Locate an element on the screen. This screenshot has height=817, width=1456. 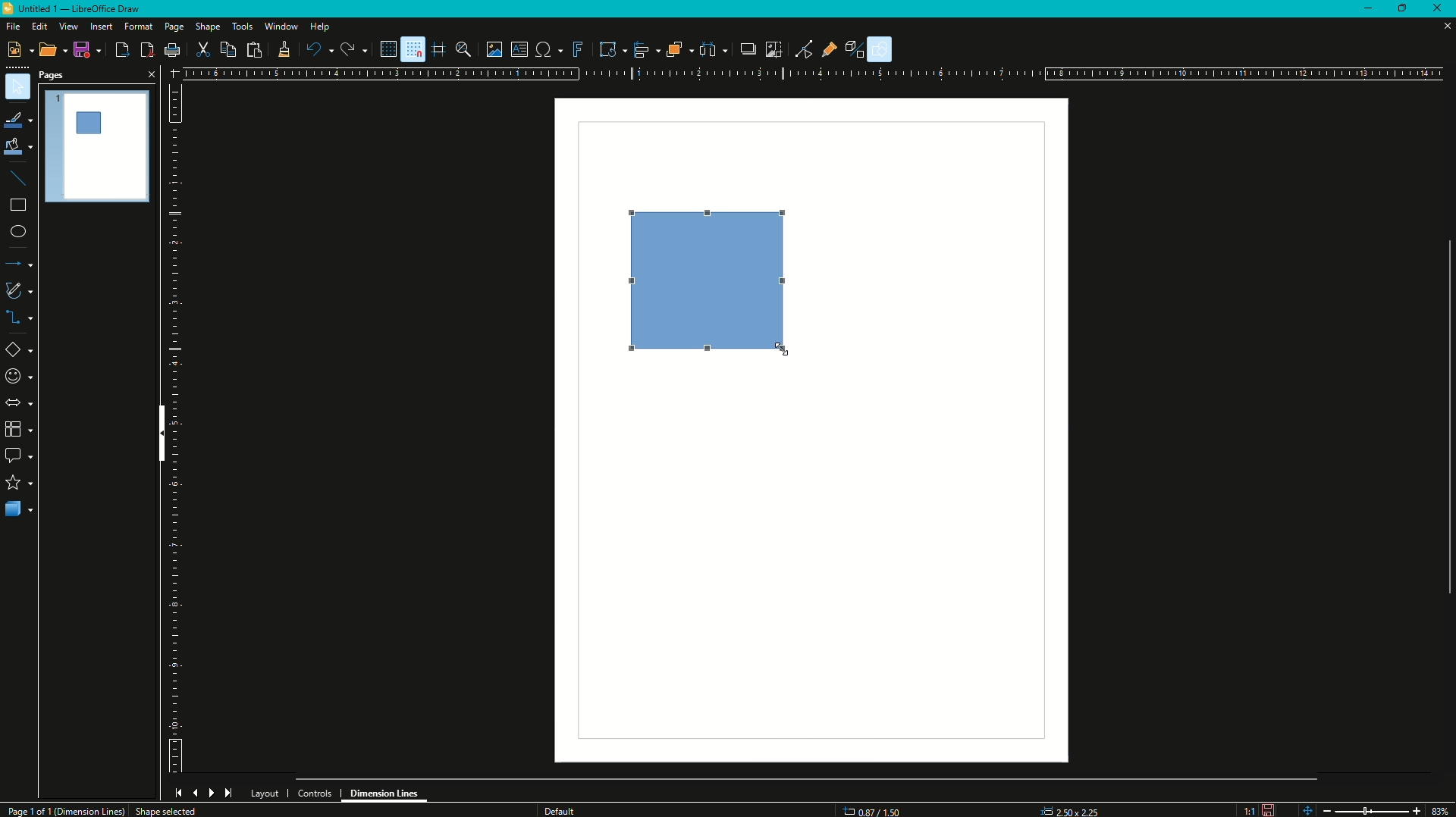
Close Sheet is located at coordinates (1441, 28).